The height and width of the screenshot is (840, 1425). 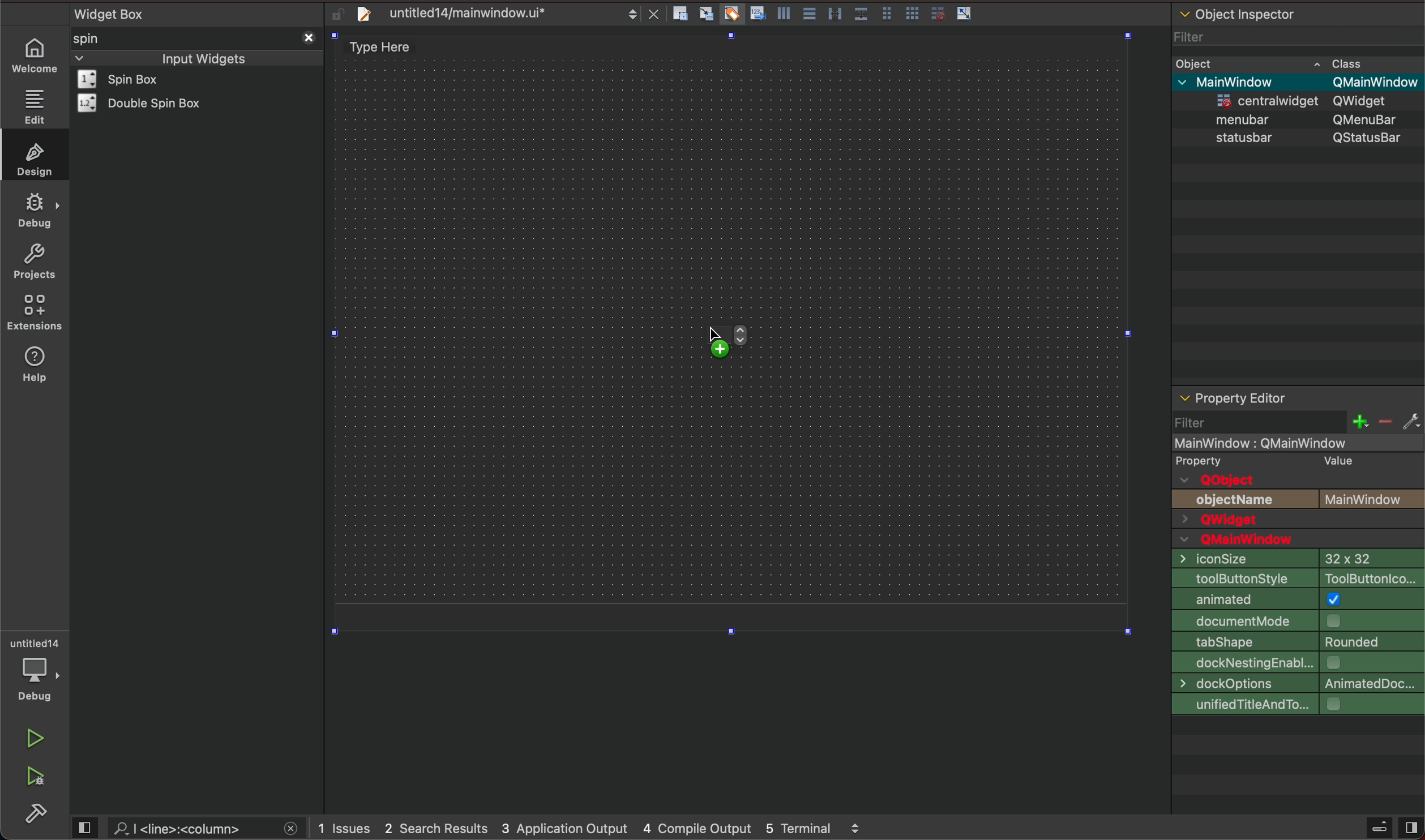 What do you see at coordinates (134, 79) in the screenshot?
I see `widget` at bounding box center [134, 79].